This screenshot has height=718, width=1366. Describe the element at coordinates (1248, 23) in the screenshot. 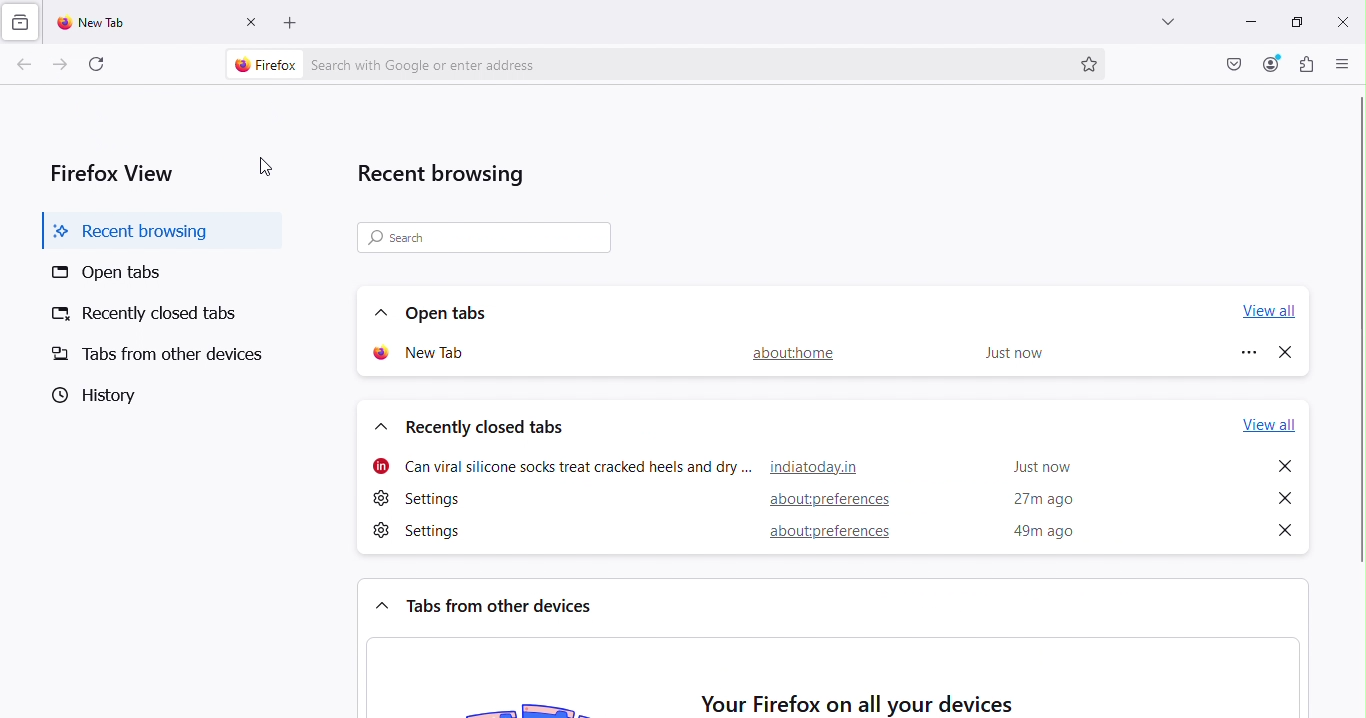

I see `Minimize` at that location.